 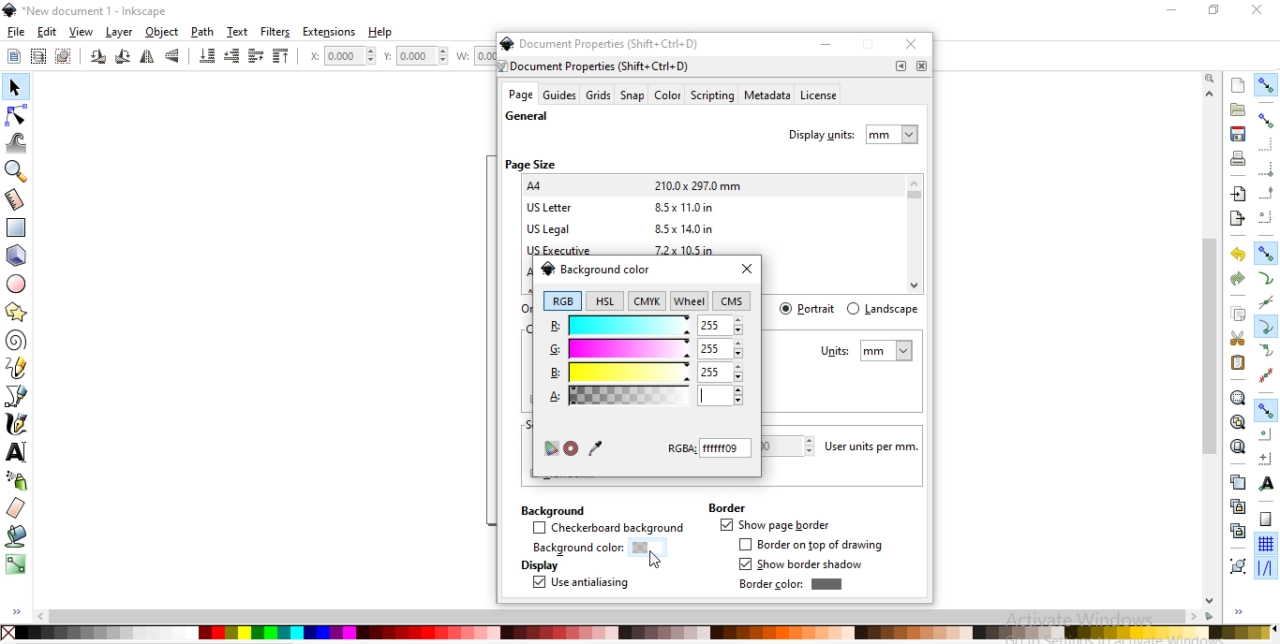 What do you see at coordinates (667, 97) in the screenshot?
I see `color` at bounding box center [667, 97].